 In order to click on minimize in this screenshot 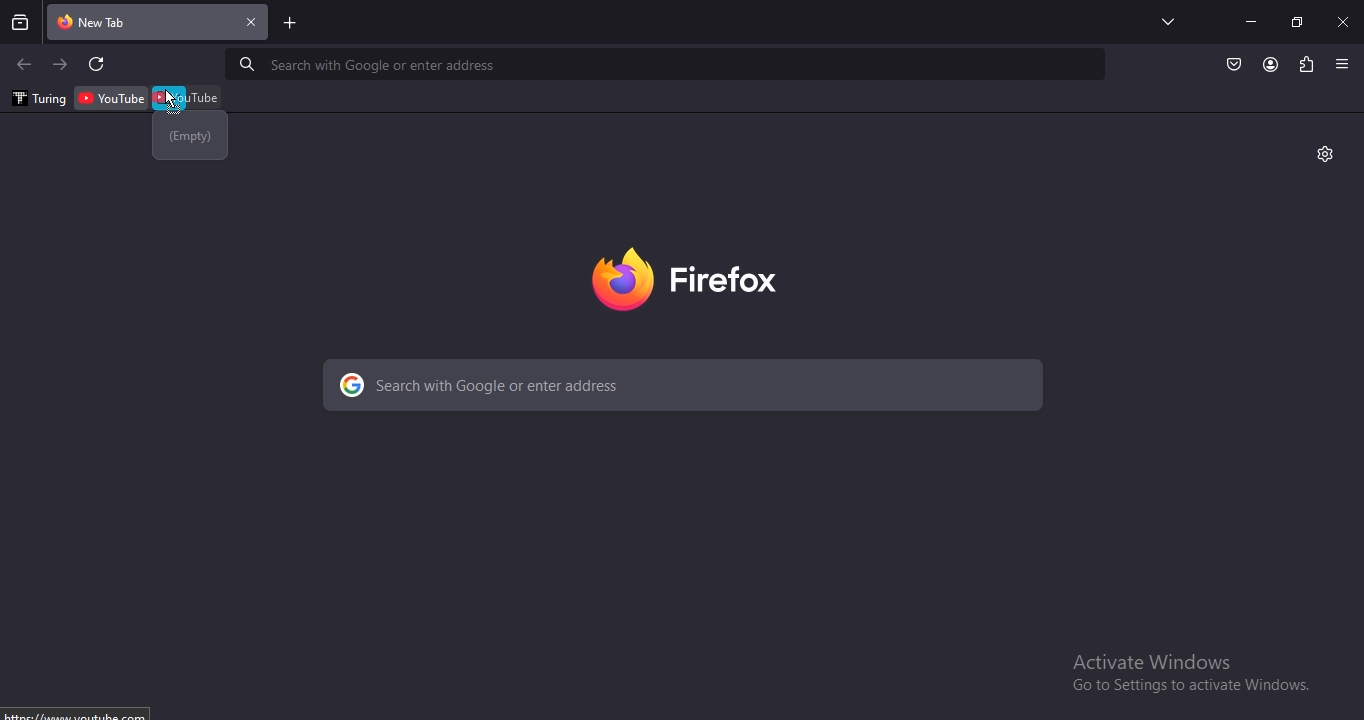, I will do `click(1251, 22)`.